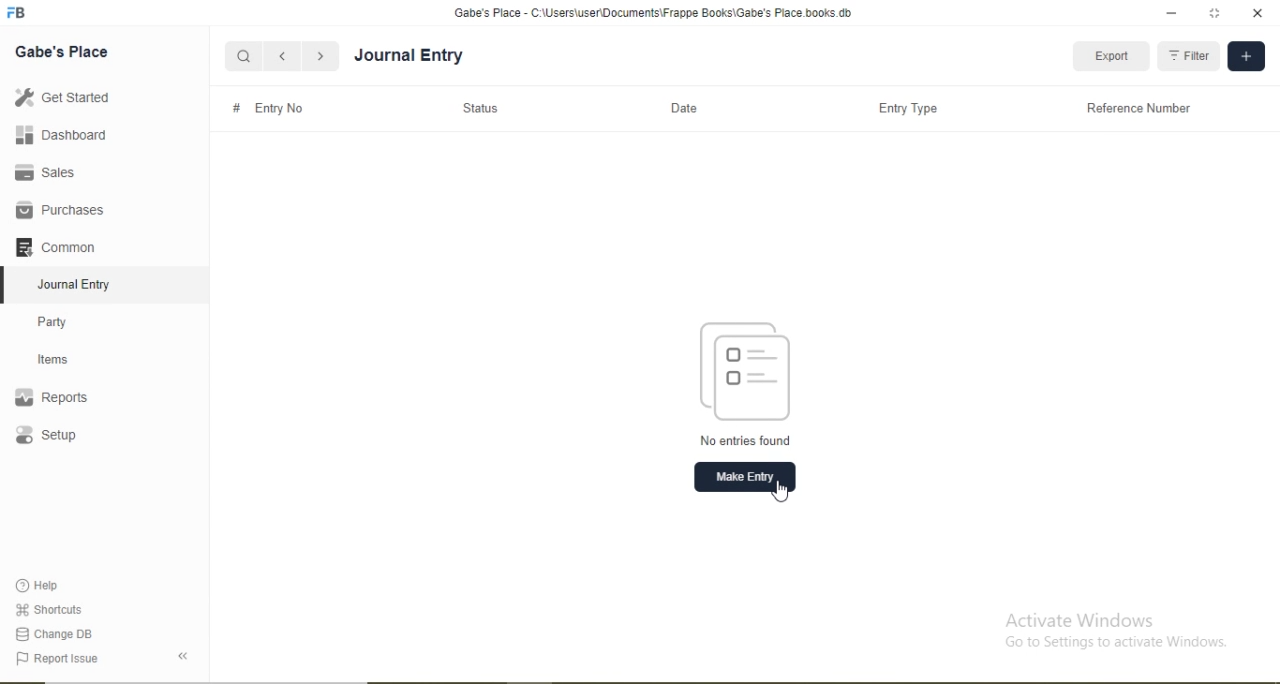  What do you see at coordinates (655, 12) in the screenshot?
I see `Gabe's Place - C:\Users\useriDocuments\Frappe Books\Gabe's Place books.db` at bounding box center [655, 12].